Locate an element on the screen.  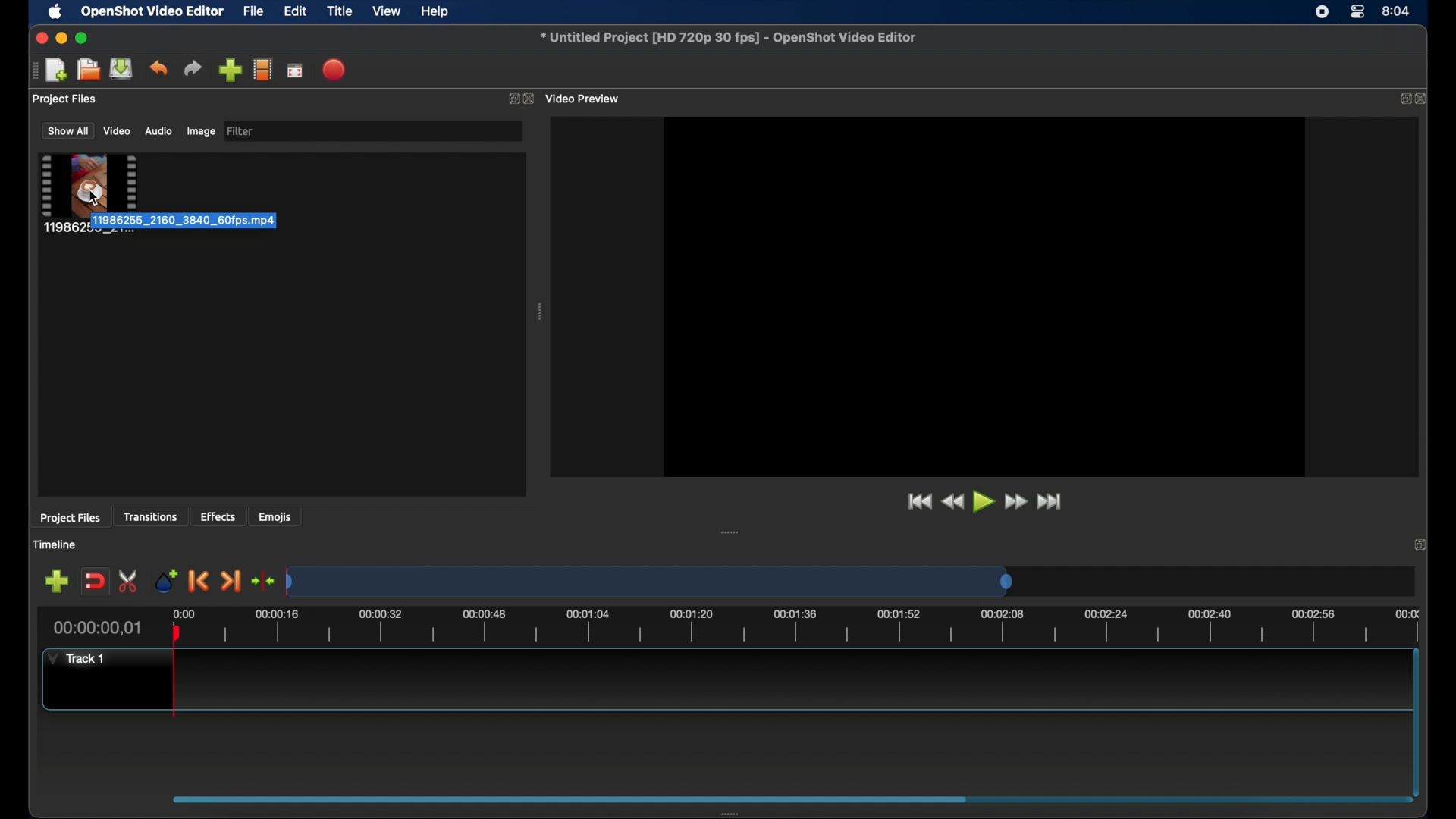
time is located at coordinates (1397, 10).